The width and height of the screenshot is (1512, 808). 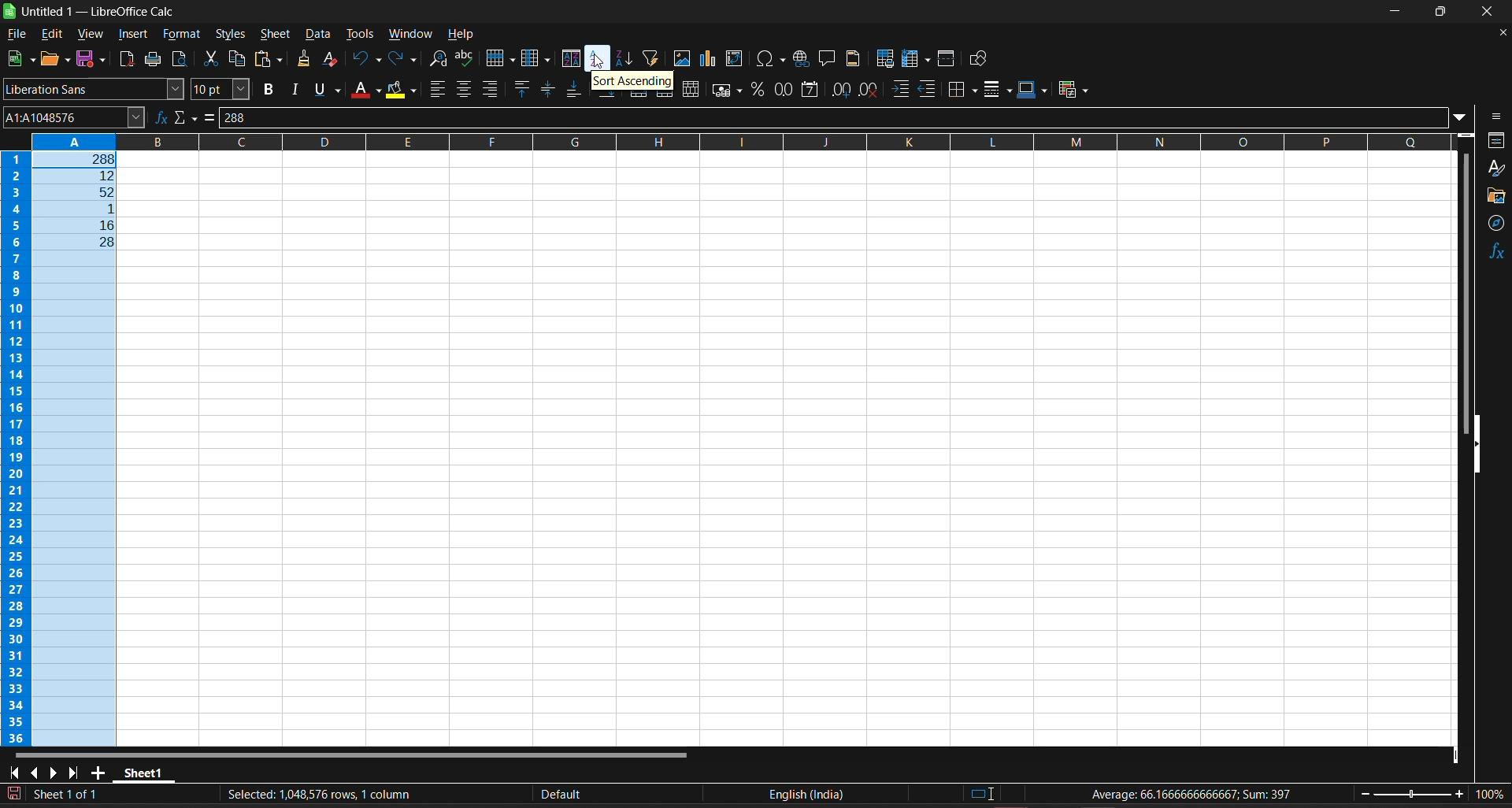 I want to click on decrease indent, so click(x=928, y=88).